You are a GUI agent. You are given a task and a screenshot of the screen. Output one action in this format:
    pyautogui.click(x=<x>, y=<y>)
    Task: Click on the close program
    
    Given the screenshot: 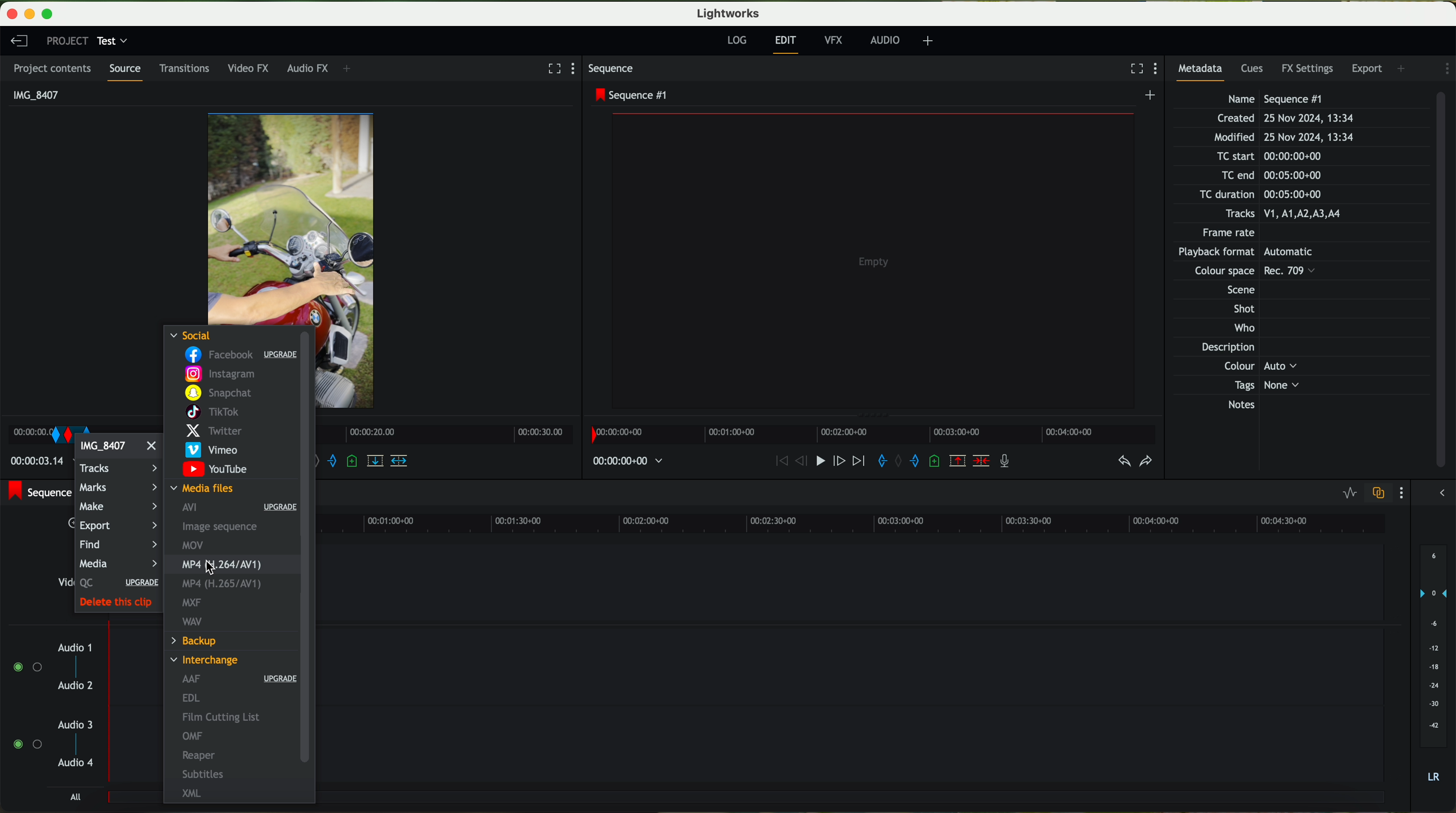 What is the action you would take?
    pyautogui.click(x=10, y=14)
    